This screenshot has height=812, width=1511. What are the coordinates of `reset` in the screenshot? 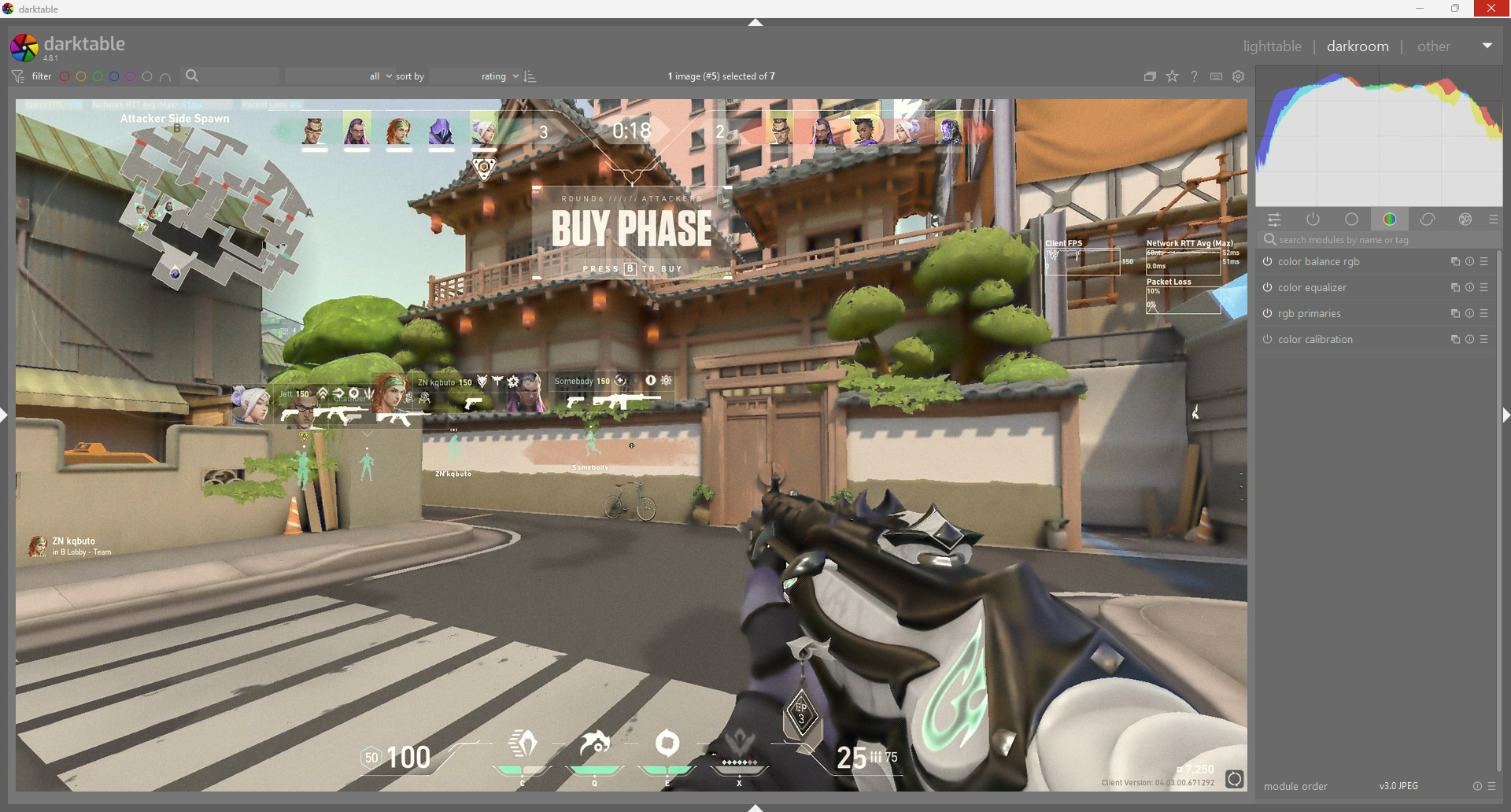 It's located at (1468, 261).